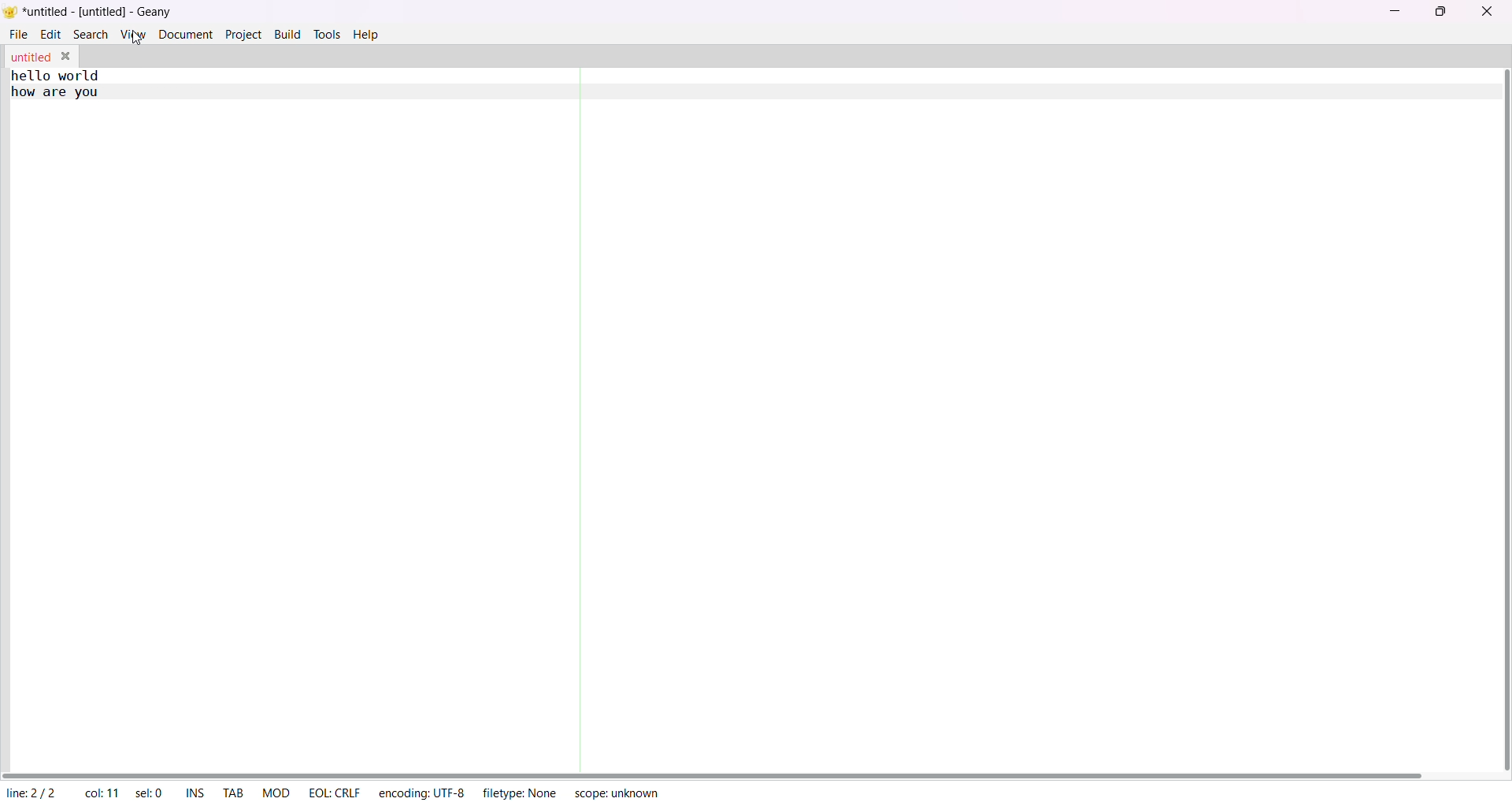  Describe the element at coordinates (132, 33) in the screenshot. I see `view` at that location.